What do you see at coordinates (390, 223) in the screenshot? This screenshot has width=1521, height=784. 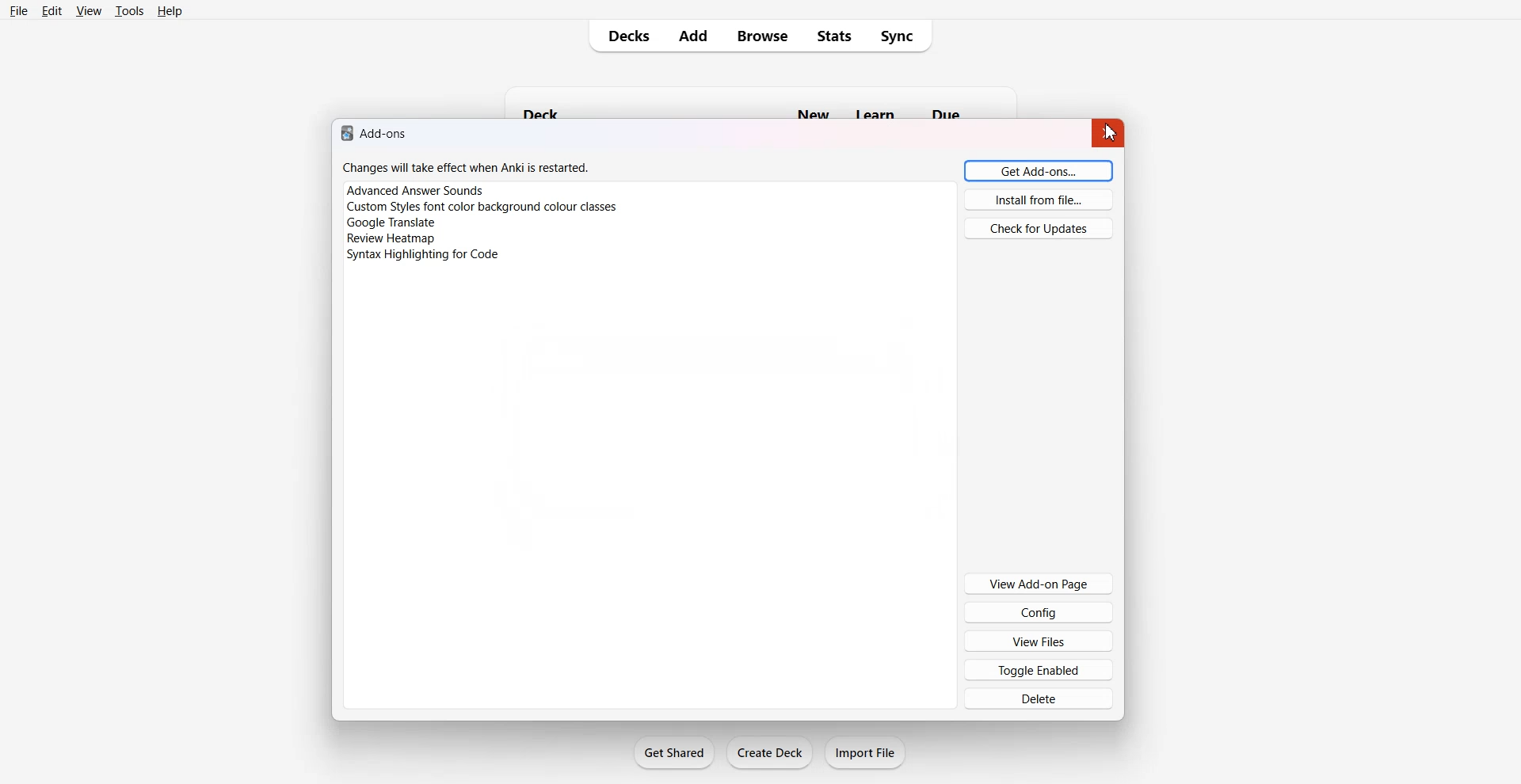 I see `google translate` at bounding box center [390, 223].